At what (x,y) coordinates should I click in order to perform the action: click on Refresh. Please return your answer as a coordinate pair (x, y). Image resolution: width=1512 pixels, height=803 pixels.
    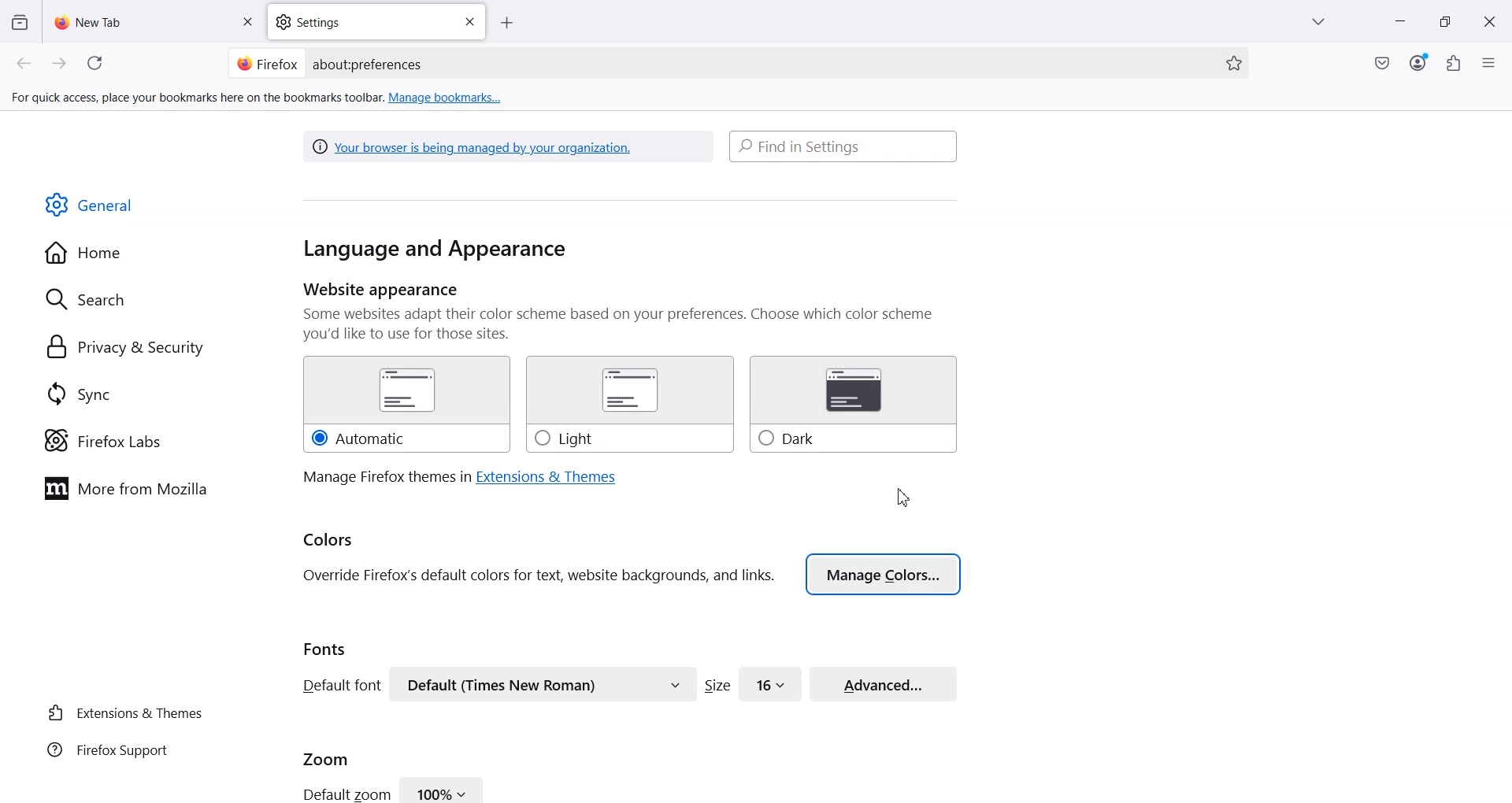
    Looking at the image, I should click on (98, 64).